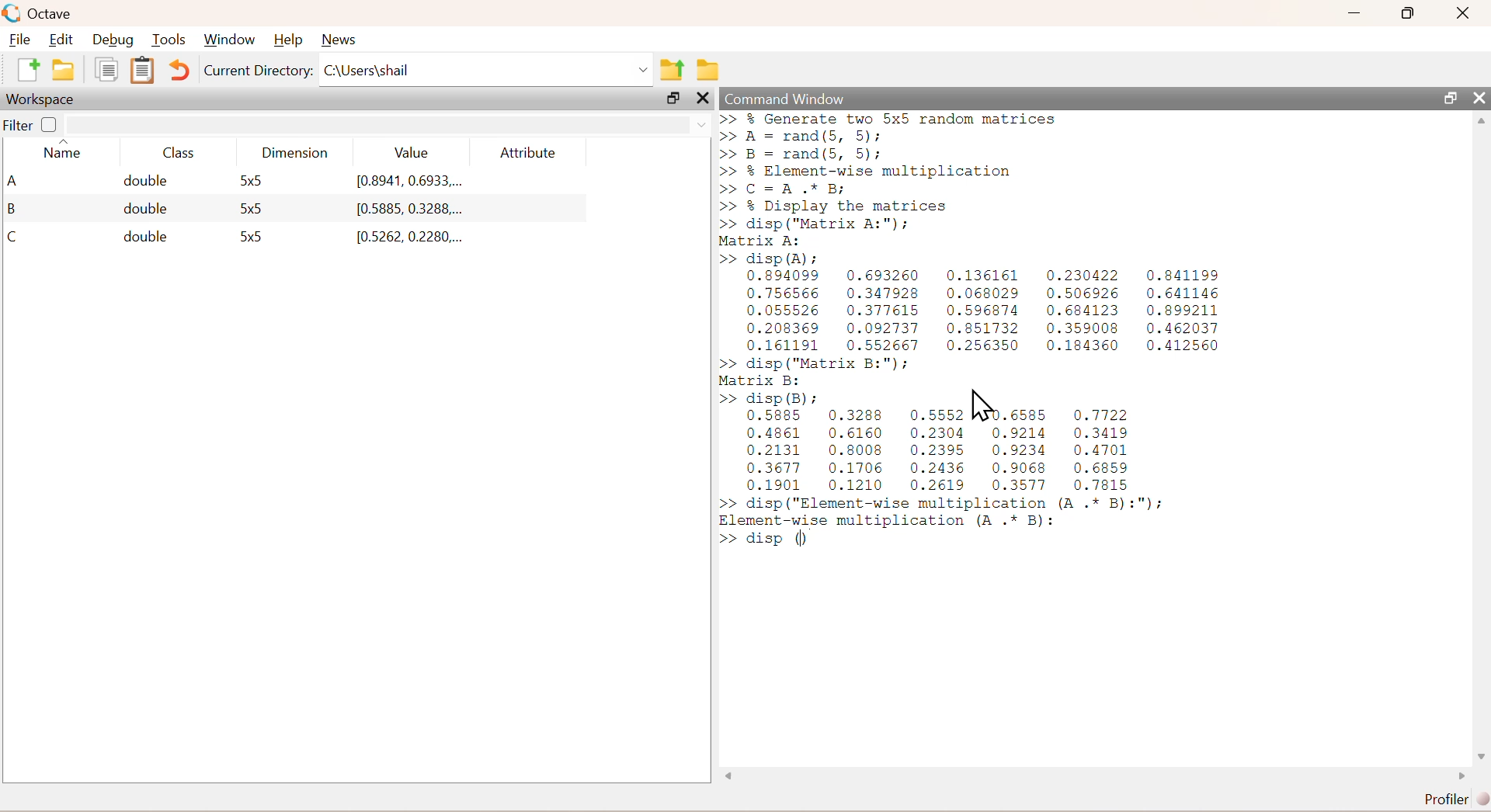 Image resolution: width=1491 pixels, height=812 pixels. Describe the element at coordinates (410, 151) in the screenshot. I see `Value` at that location.